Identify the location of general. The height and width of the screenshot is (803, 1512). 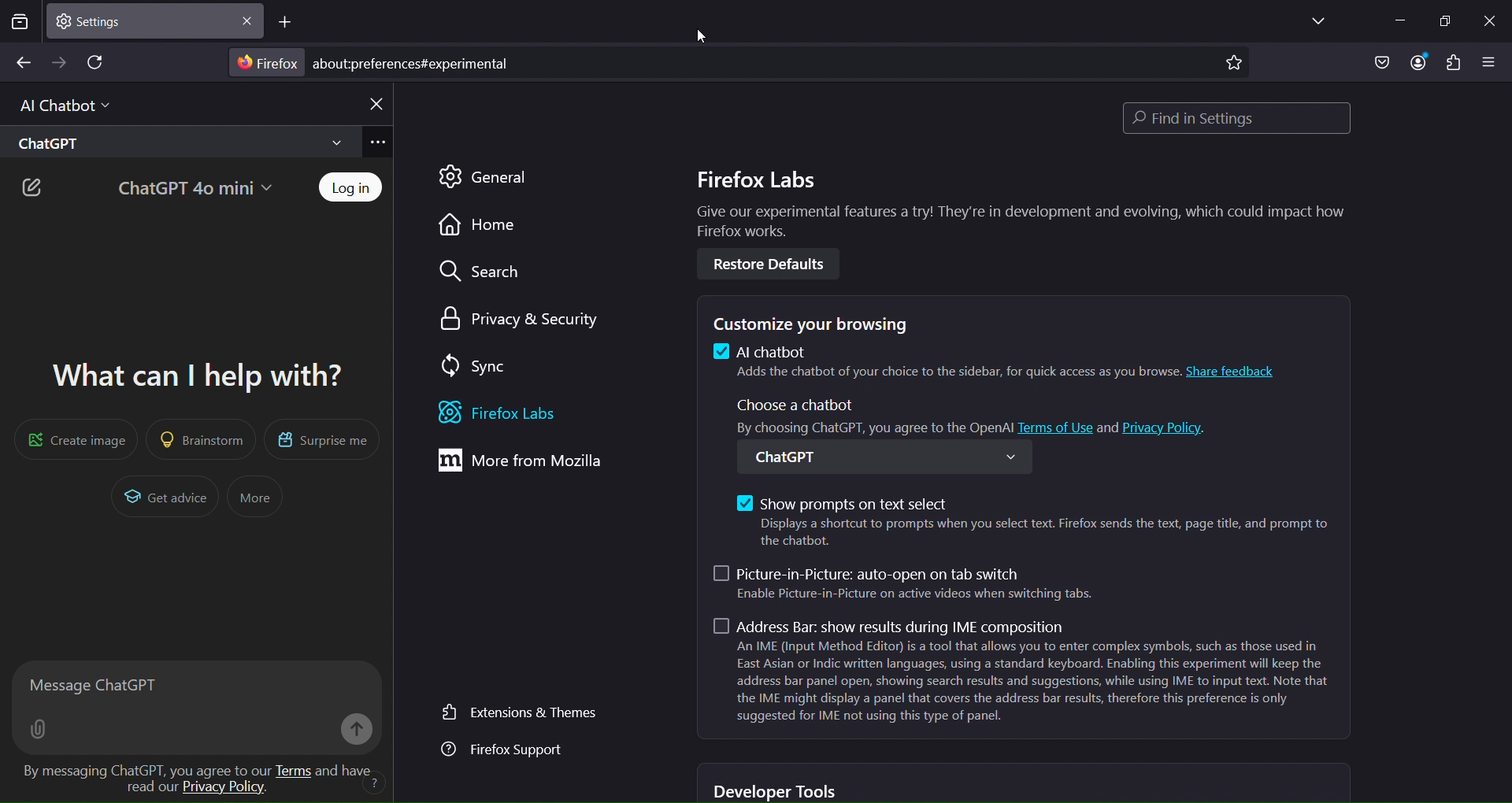
(495, 176).